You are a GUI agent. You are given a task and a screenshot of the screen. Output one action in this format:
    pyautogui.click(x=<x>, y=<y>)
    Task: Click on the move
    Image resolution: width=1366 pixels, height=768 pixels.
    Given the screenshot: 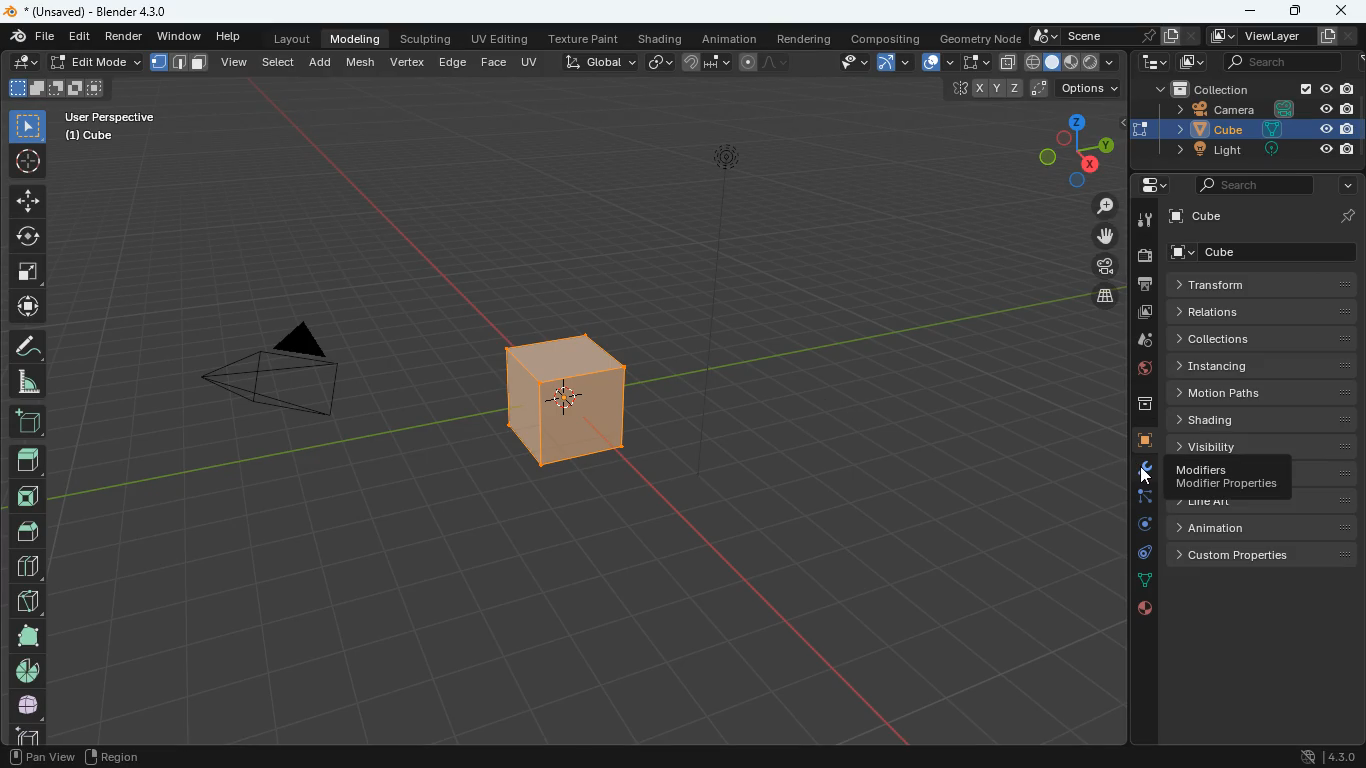 What is the action you would take?
    pyautogui.click(x=27, y=200)
    